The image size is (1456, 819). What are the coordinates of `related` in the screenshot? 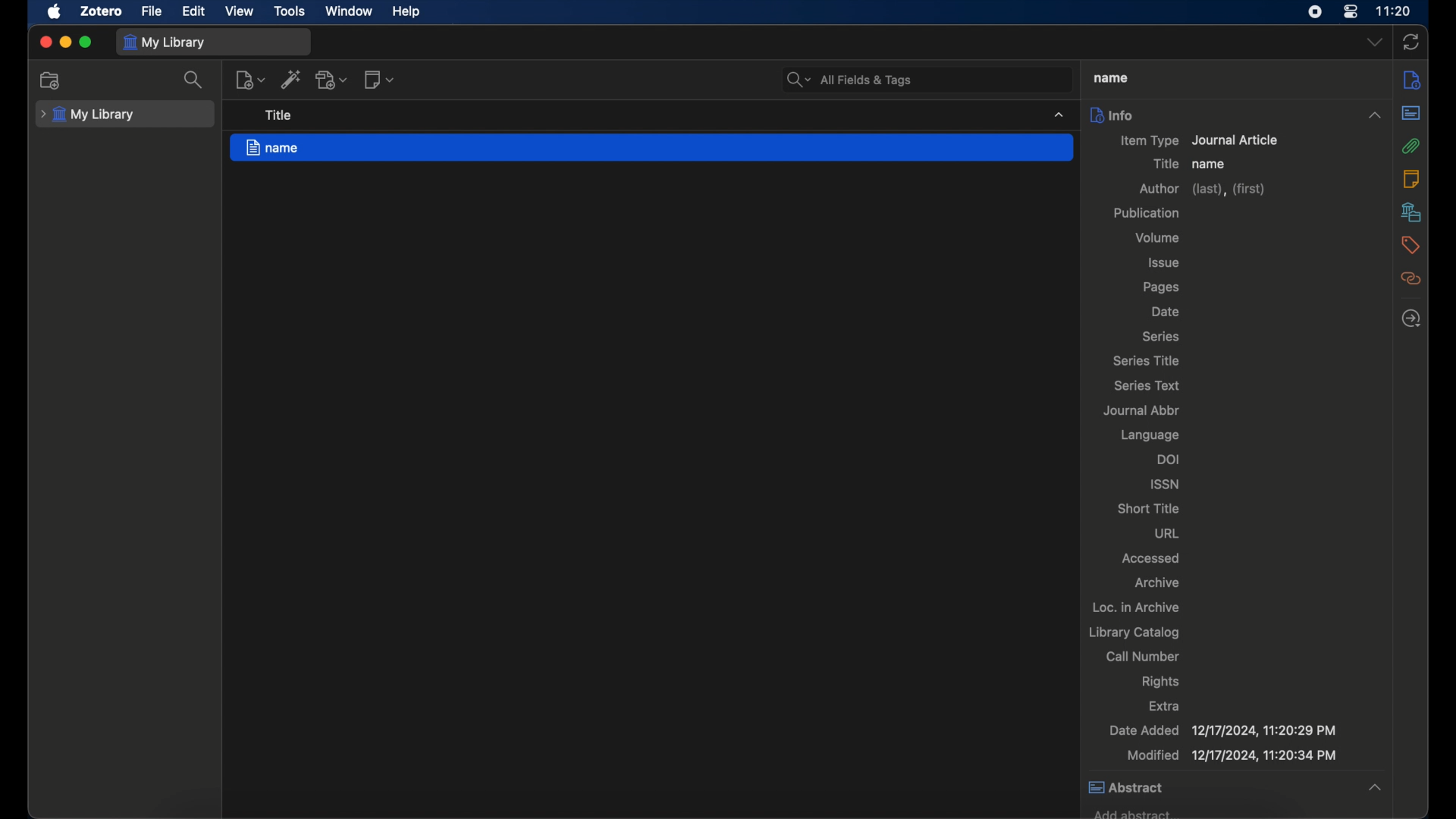 It's located at (1409, 278).